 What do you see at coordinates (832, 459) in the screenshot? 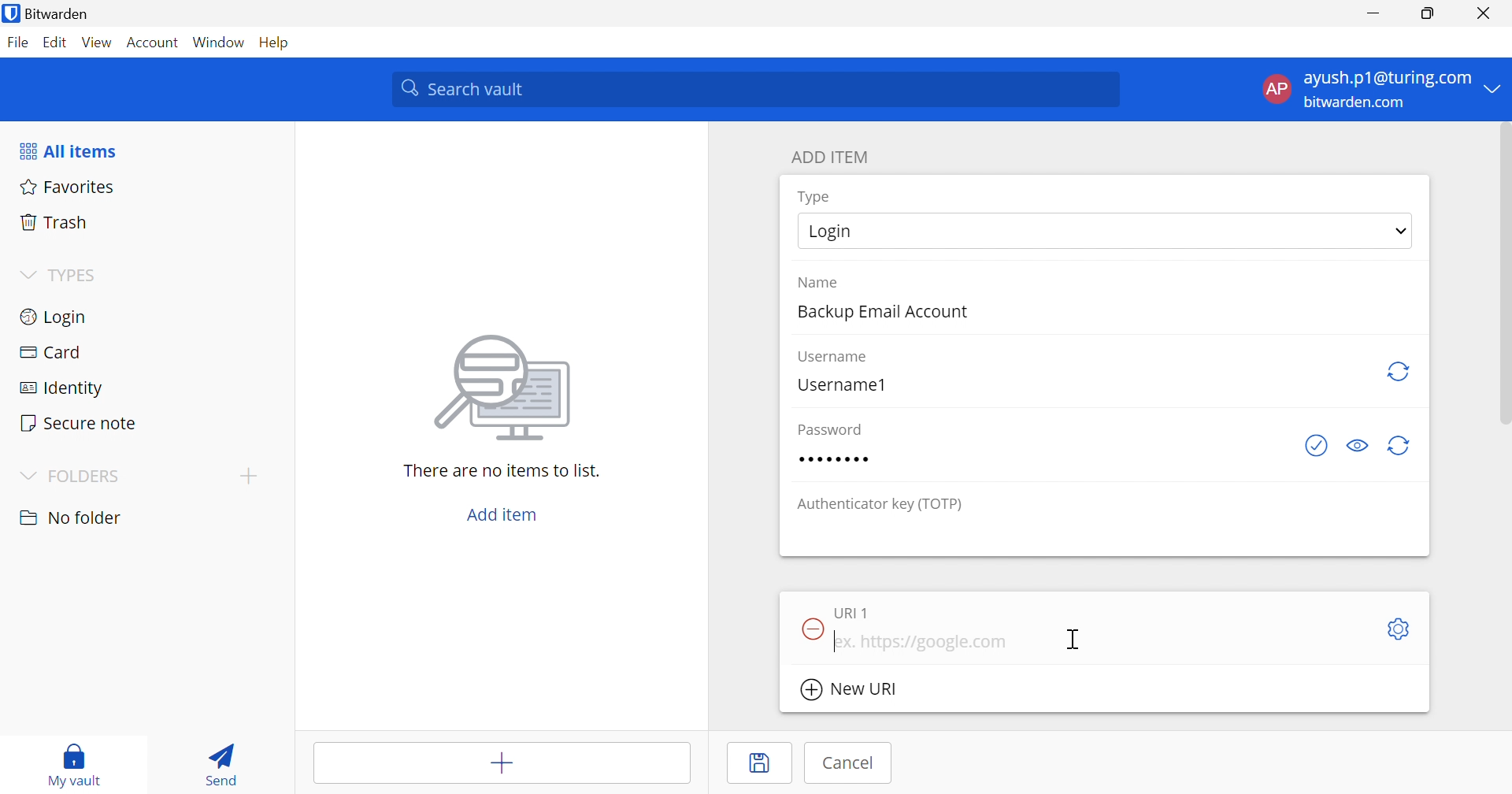
I see `• • • • • • • • ` at bounding box center [832, 459].